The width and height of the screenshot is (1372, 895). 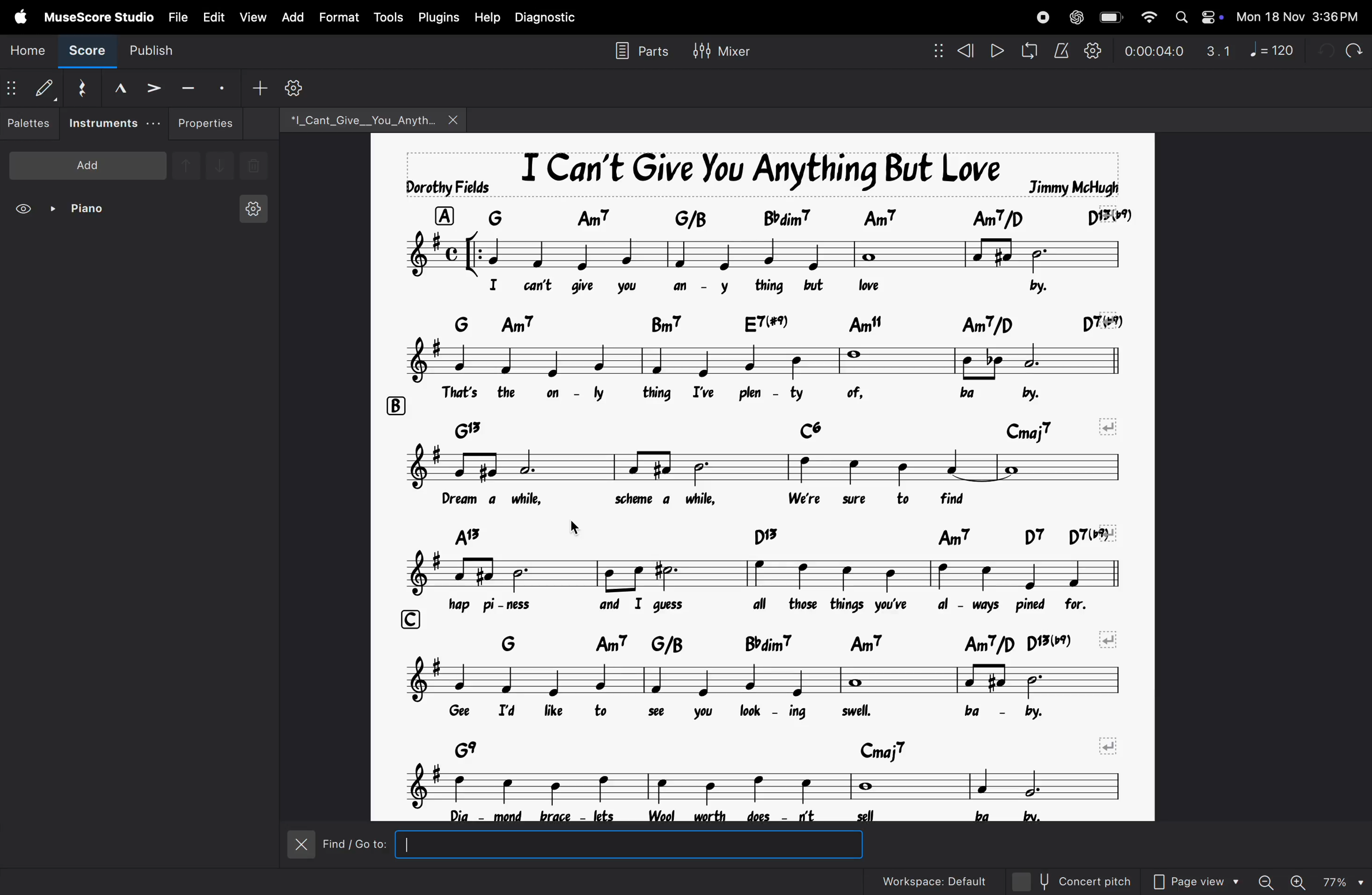 What do you see at coordinates (1265, 881) in the screenshot?
I see `zoom out` at bounding box center [1265, 881].